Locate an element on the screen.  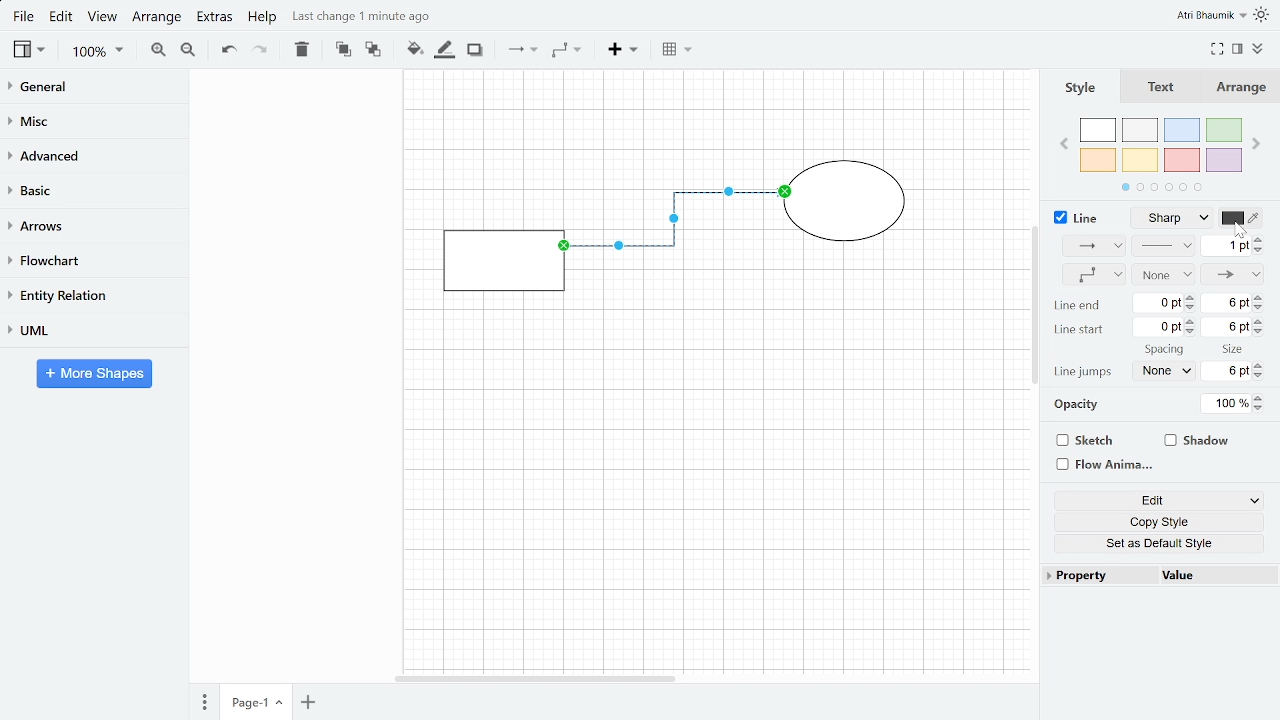
Insert is located at coordinates (625, 52).